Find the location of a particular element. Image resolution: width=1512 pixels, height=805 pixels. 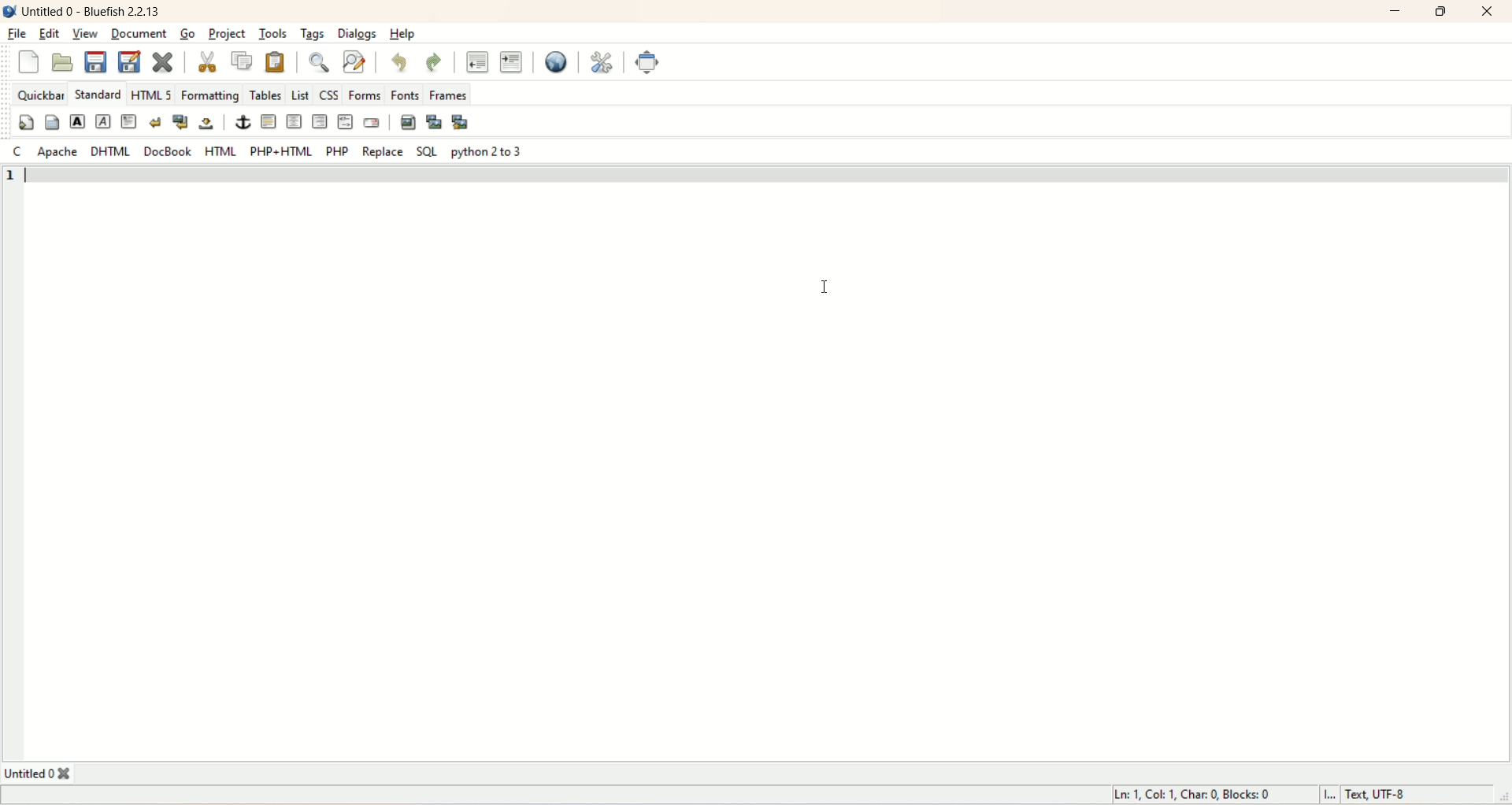

C is located at coordinates (16, 150).